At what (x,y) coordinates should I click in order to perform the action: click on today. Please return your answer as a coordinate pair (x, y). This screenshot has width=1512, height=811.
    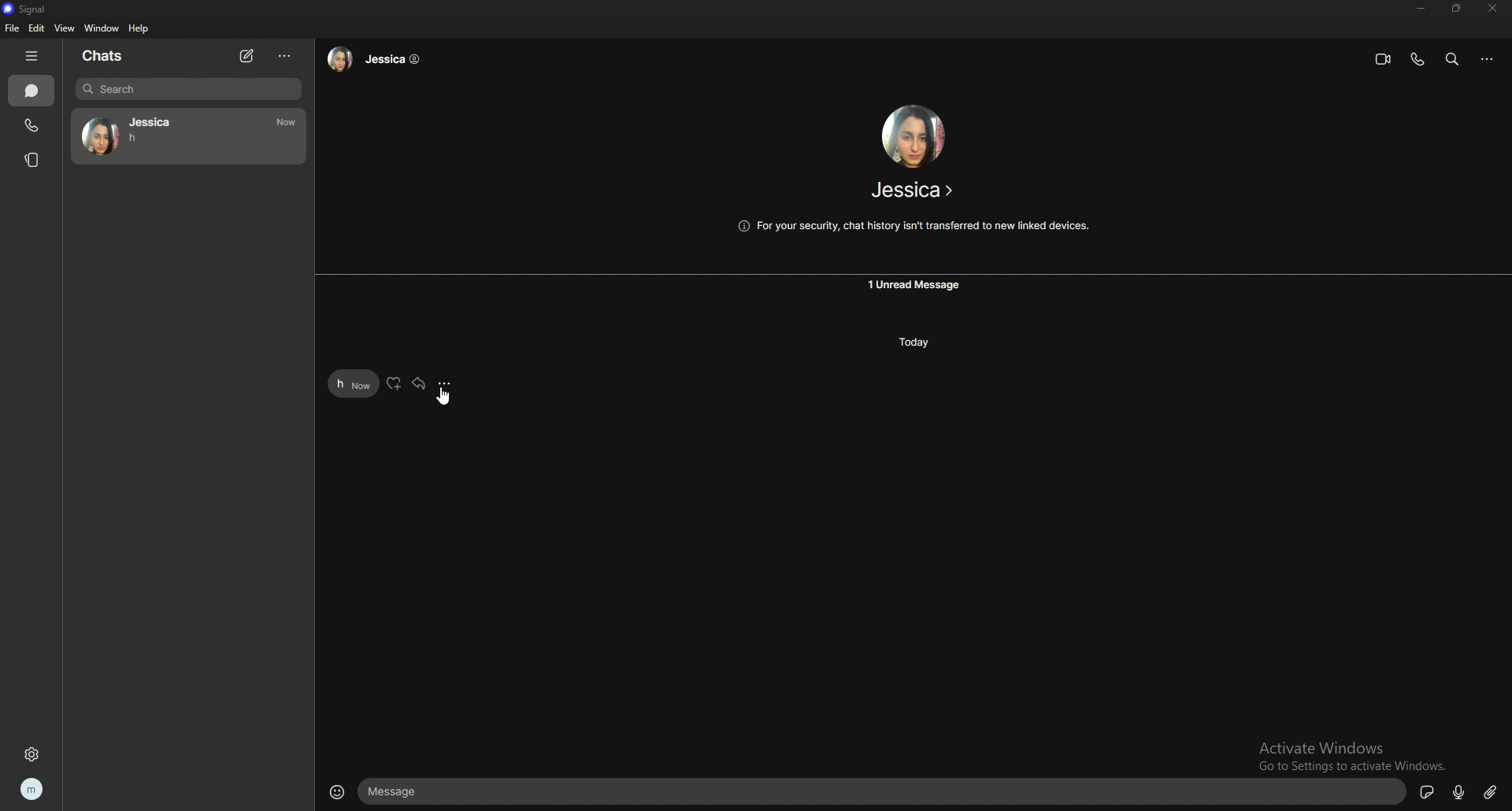
    Looking at the image, I should click on (914, 343).